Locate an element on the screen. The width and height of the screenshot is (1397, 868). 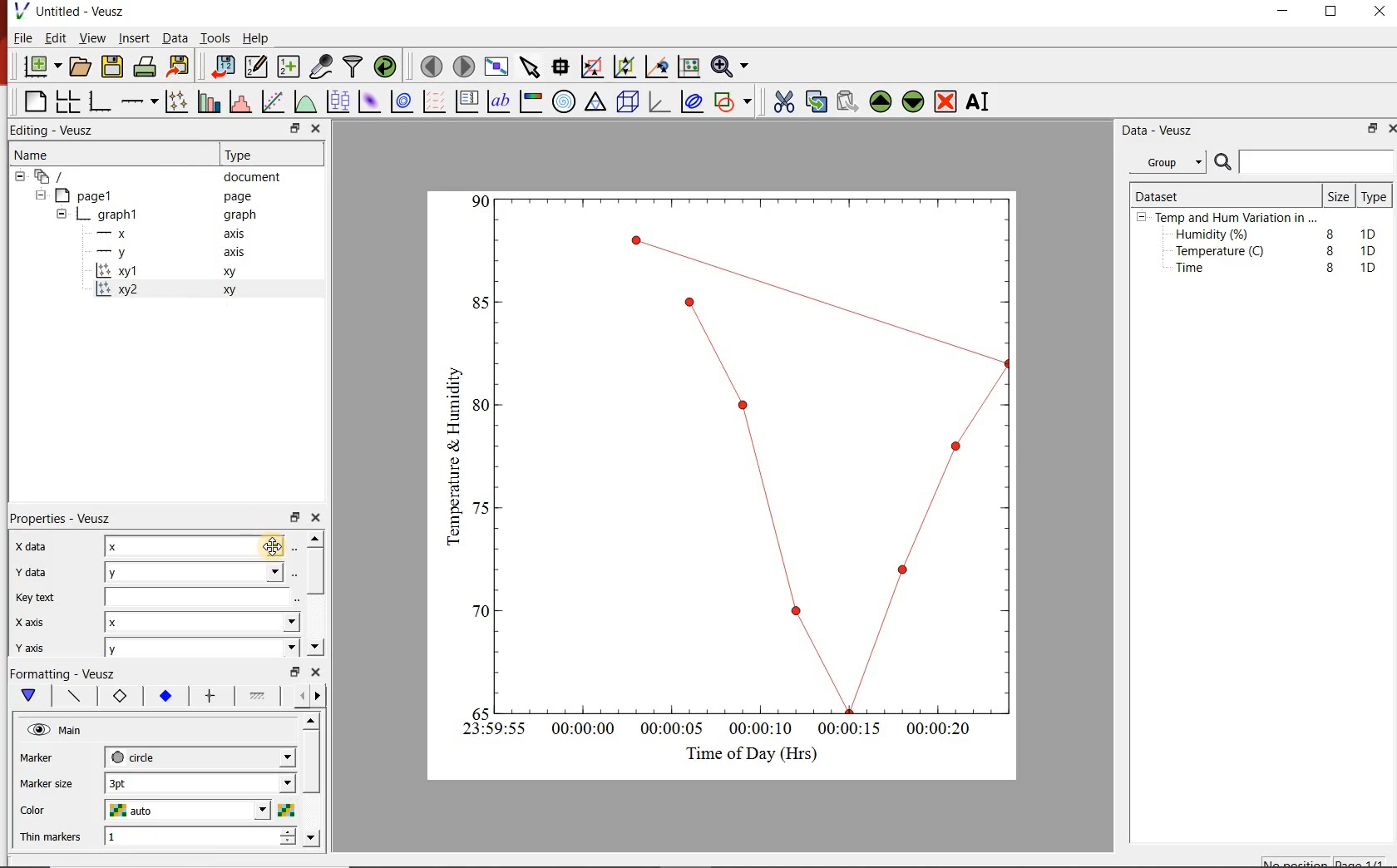
y is located at coordinates (136, 650).